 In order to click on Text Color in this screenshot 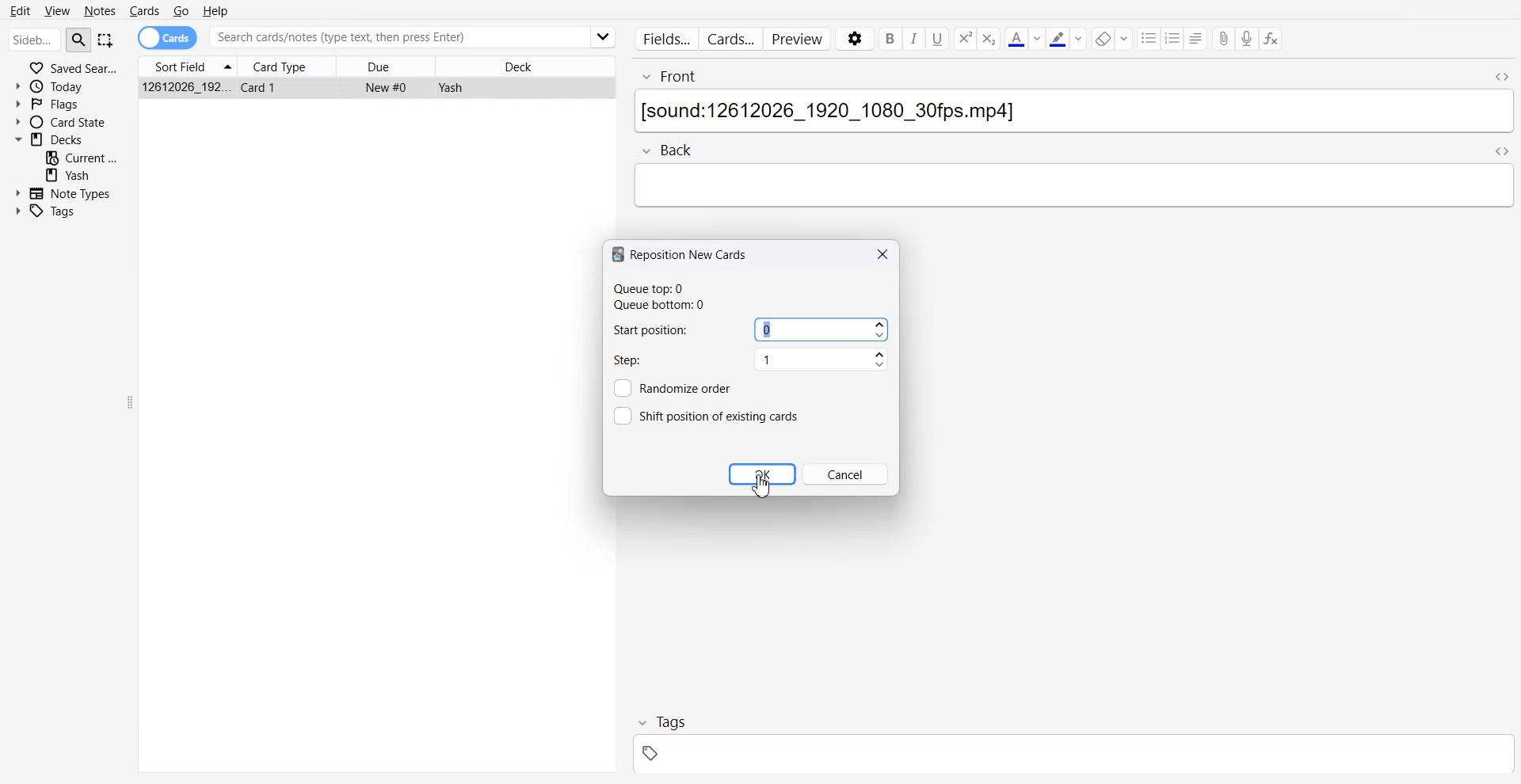, I will do `click(1024, 38)`.